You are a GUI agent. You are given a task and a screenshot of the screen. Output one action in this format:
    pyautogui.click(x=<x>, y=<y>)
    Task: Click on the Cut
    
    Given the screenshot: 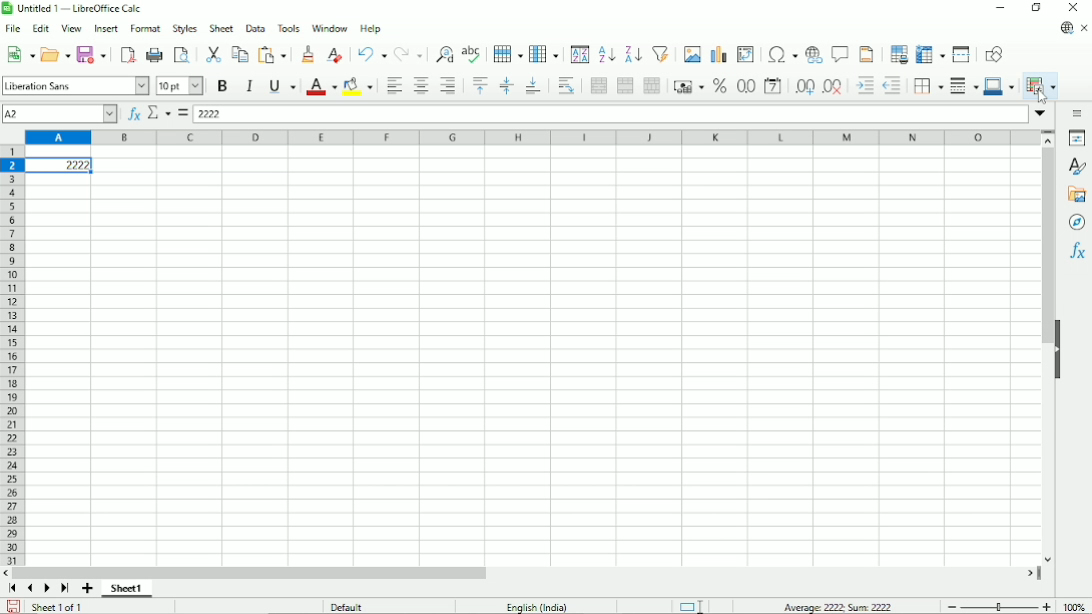 What is the action you would take?
    pyautogui.click(x=212, y=54)
    